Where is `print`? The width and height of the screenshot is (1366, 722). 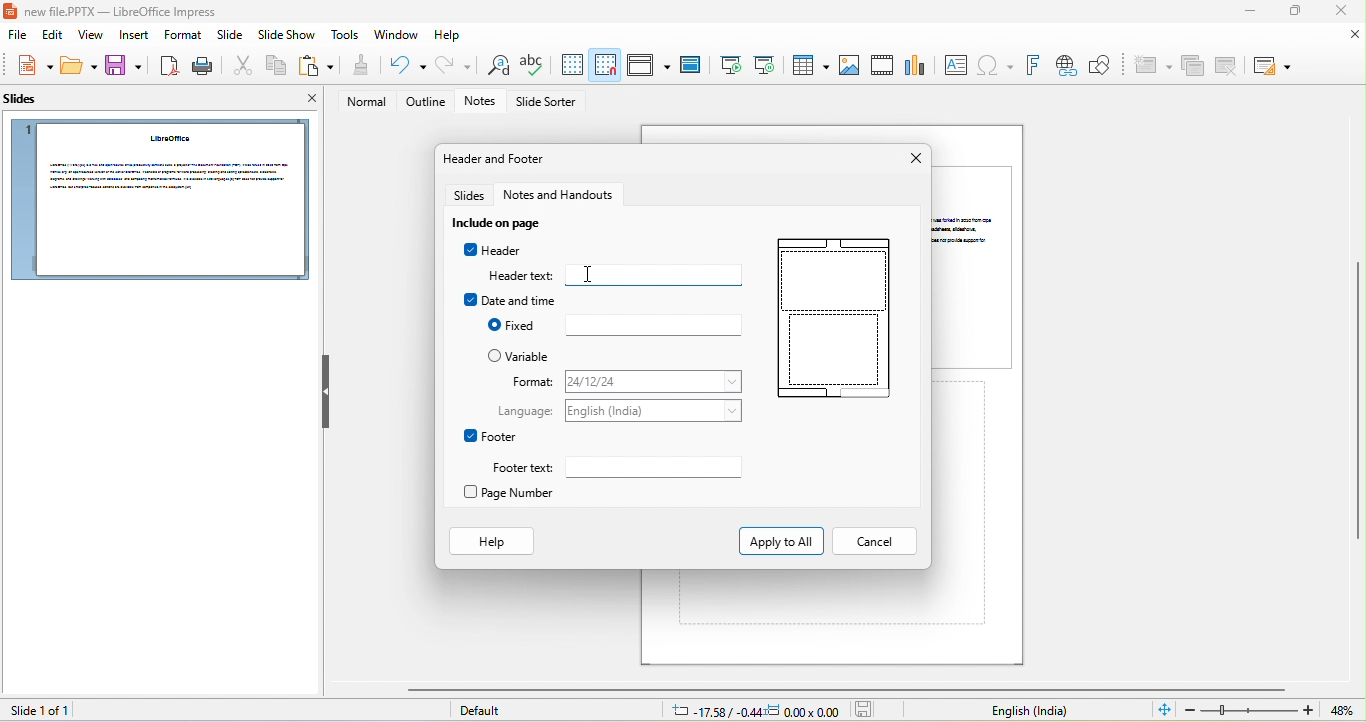 print is located at coordinates (201, 66).